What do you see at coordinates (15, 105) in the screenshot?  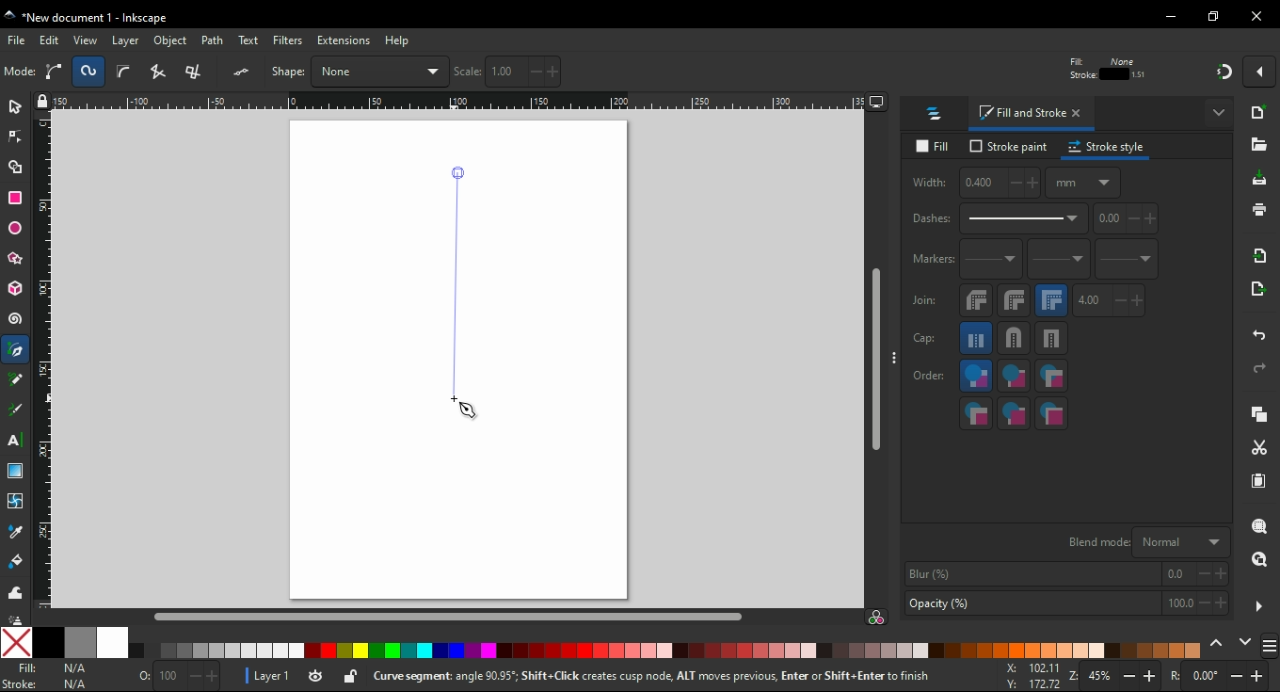 I see `select tool` at bounding box center [15, 105].